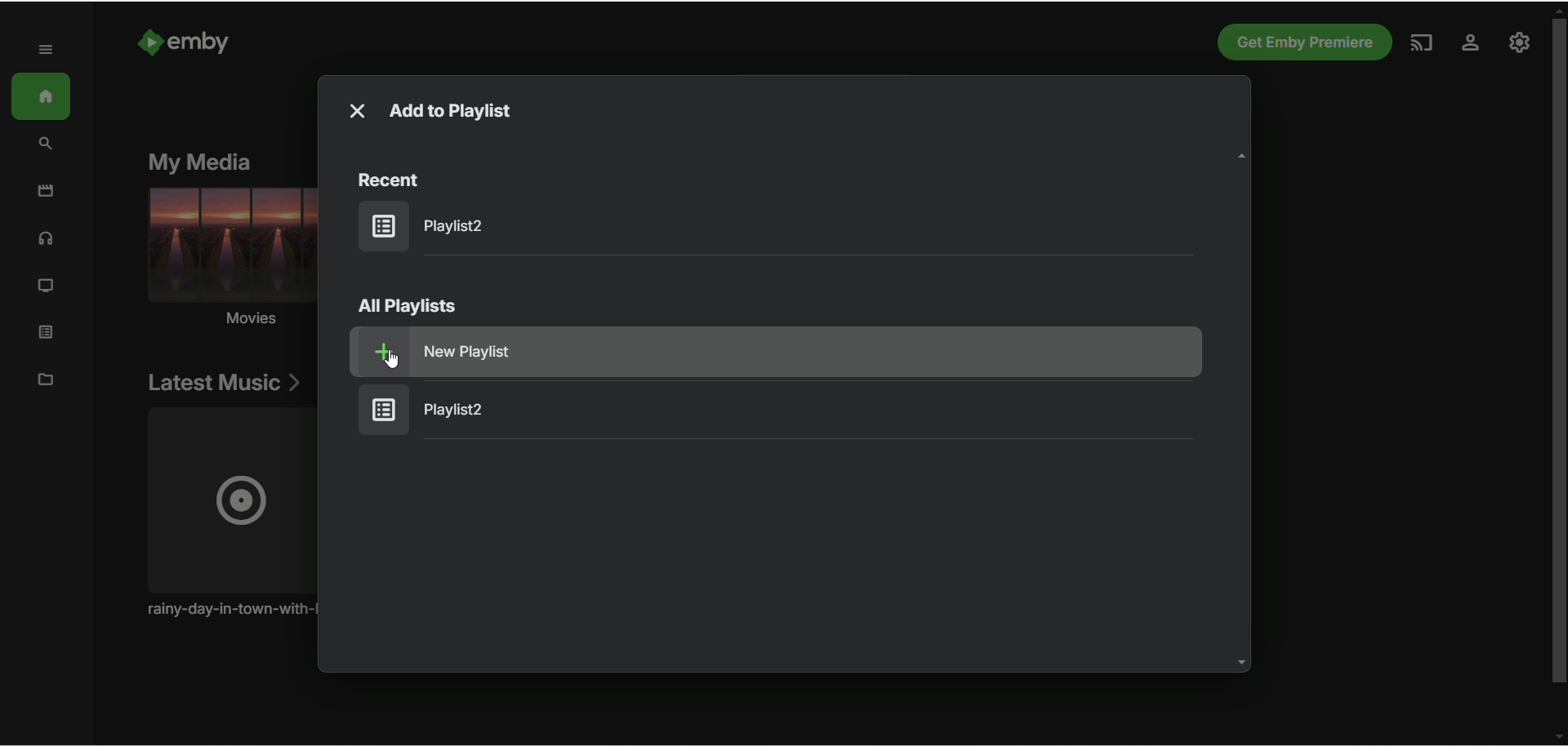  Describe the element at coordinates (357, 111) in the screenshot. I see `close` at that location.